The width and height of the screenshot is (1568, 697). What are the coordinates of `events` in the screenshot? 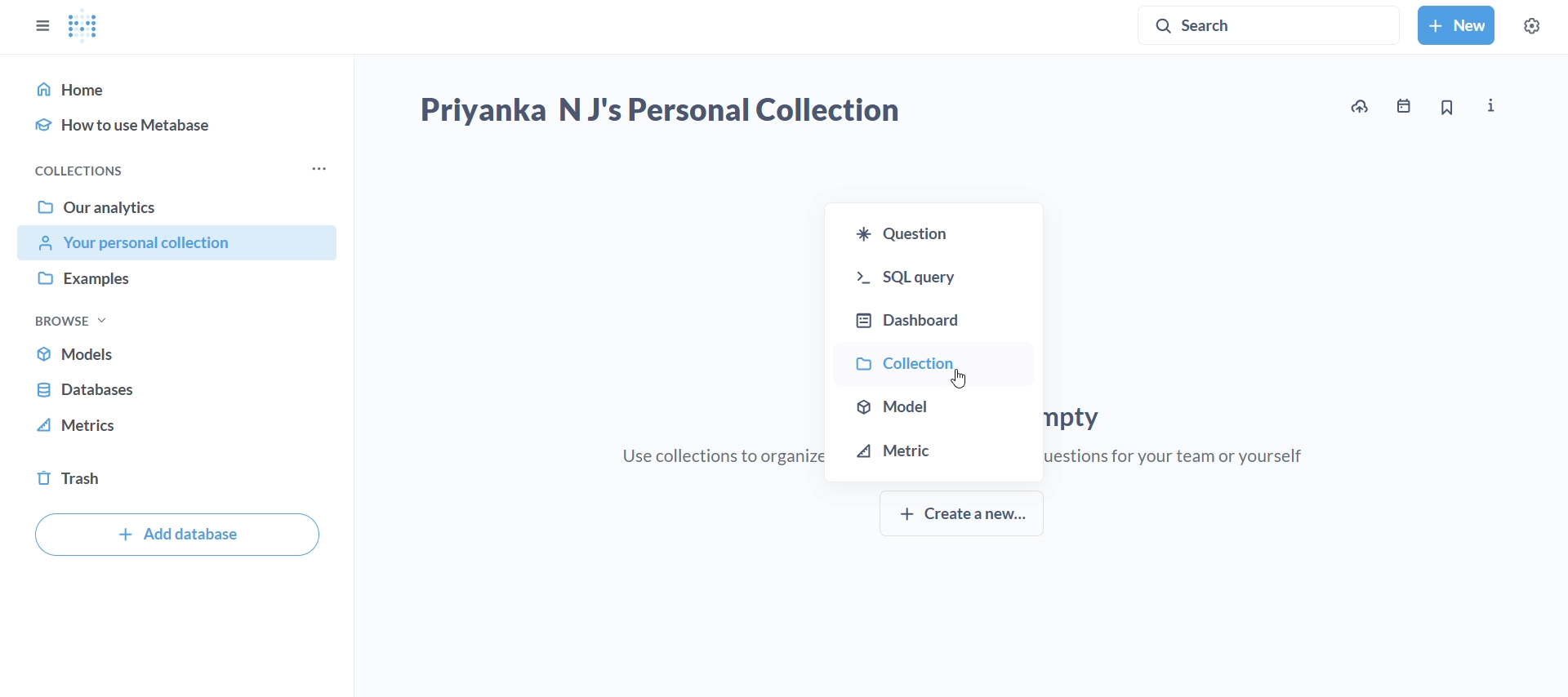 It's located at (1406, 109).